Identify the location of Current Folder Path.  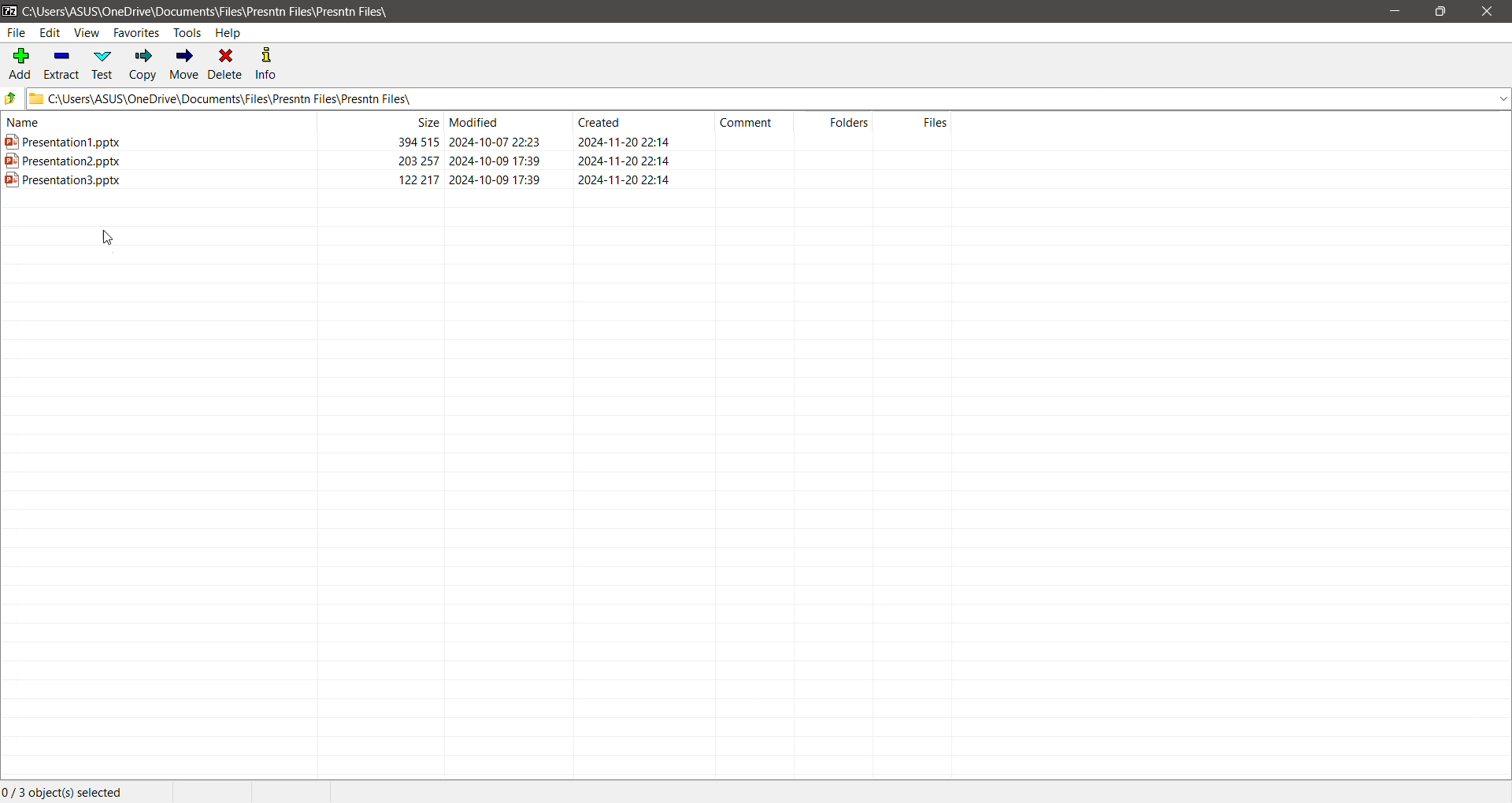
(238, 9).